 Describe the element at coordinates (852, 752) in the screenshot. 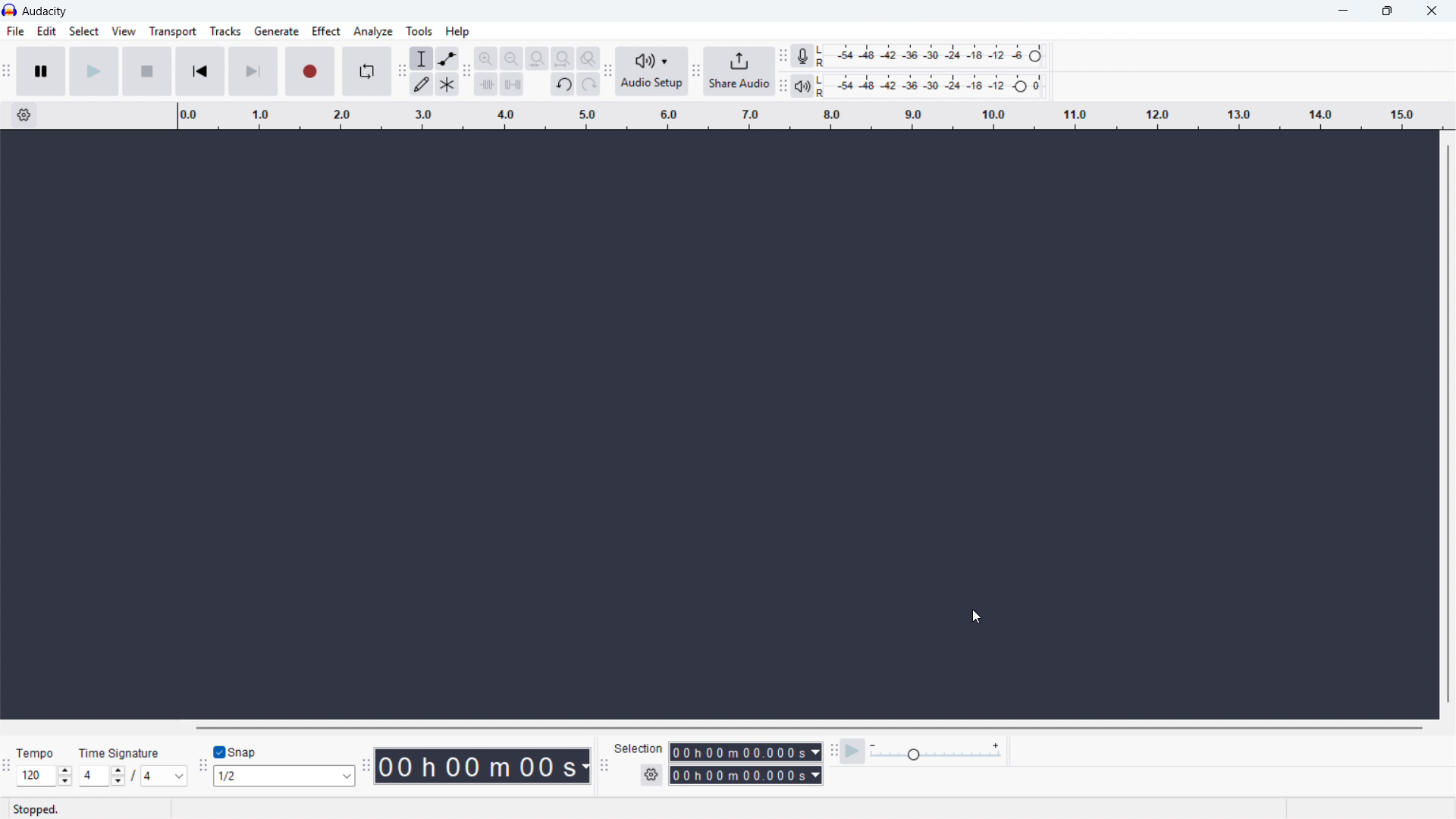

I see `play at speed ` at that location.